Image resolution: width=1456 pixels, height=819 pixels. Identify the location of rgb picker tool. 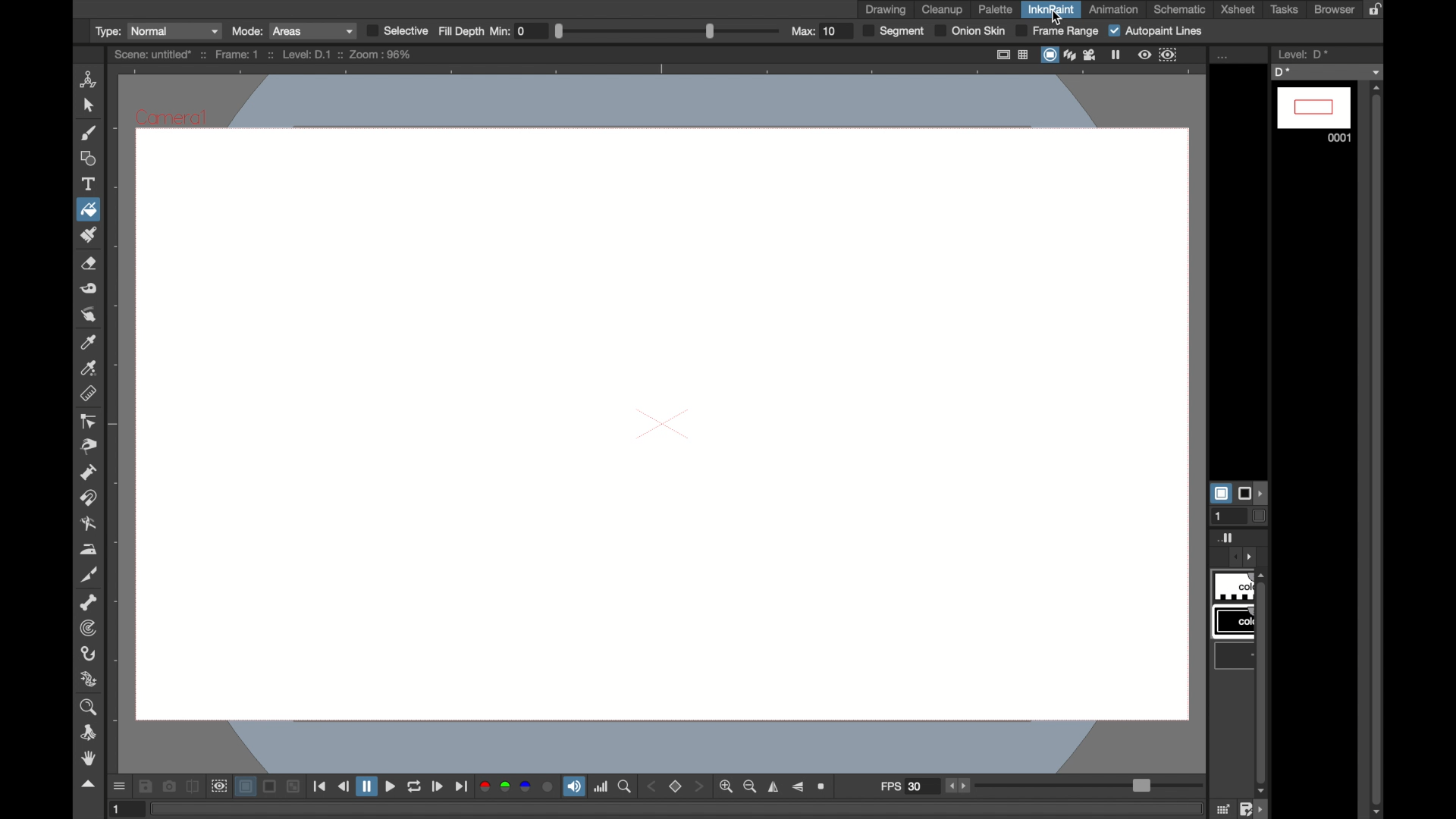
(89, 368).